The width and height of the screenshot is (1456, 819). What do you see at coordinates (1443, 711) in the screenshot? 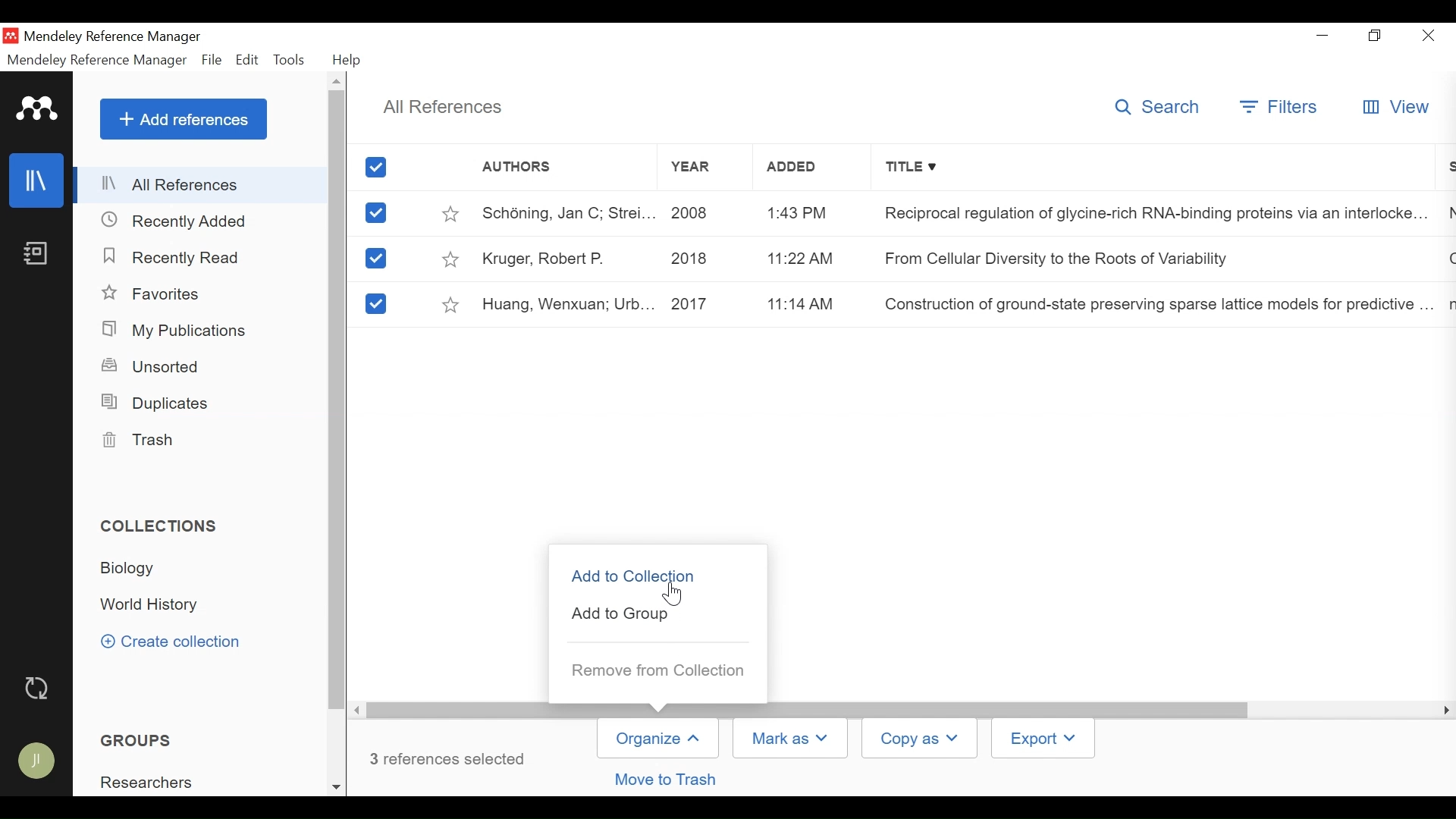
I see `Scroll Right` at bounding box center [1443, 711].